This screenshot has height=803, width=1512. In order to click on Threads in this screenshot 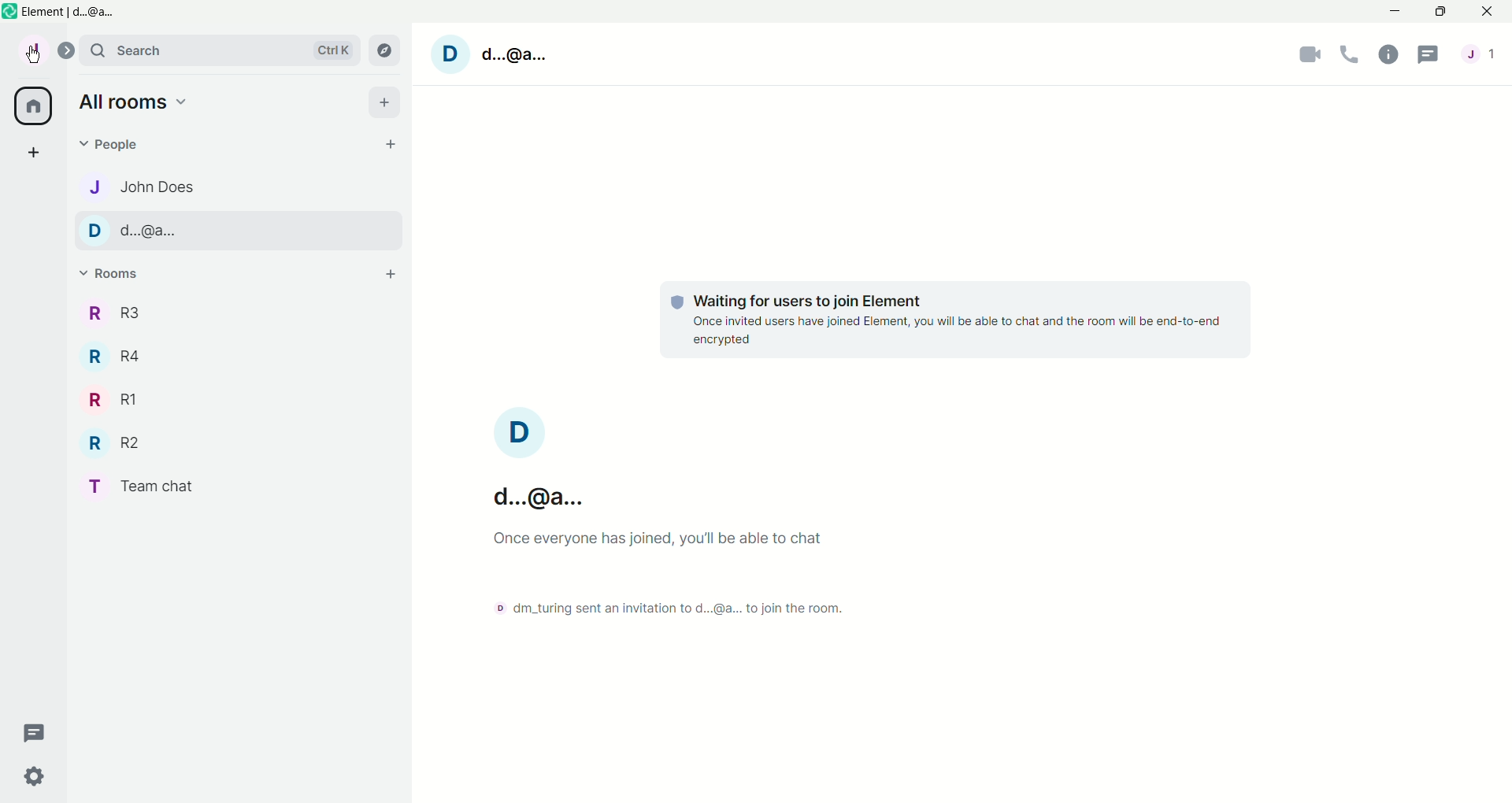, I will do `click(1429, 57)`.